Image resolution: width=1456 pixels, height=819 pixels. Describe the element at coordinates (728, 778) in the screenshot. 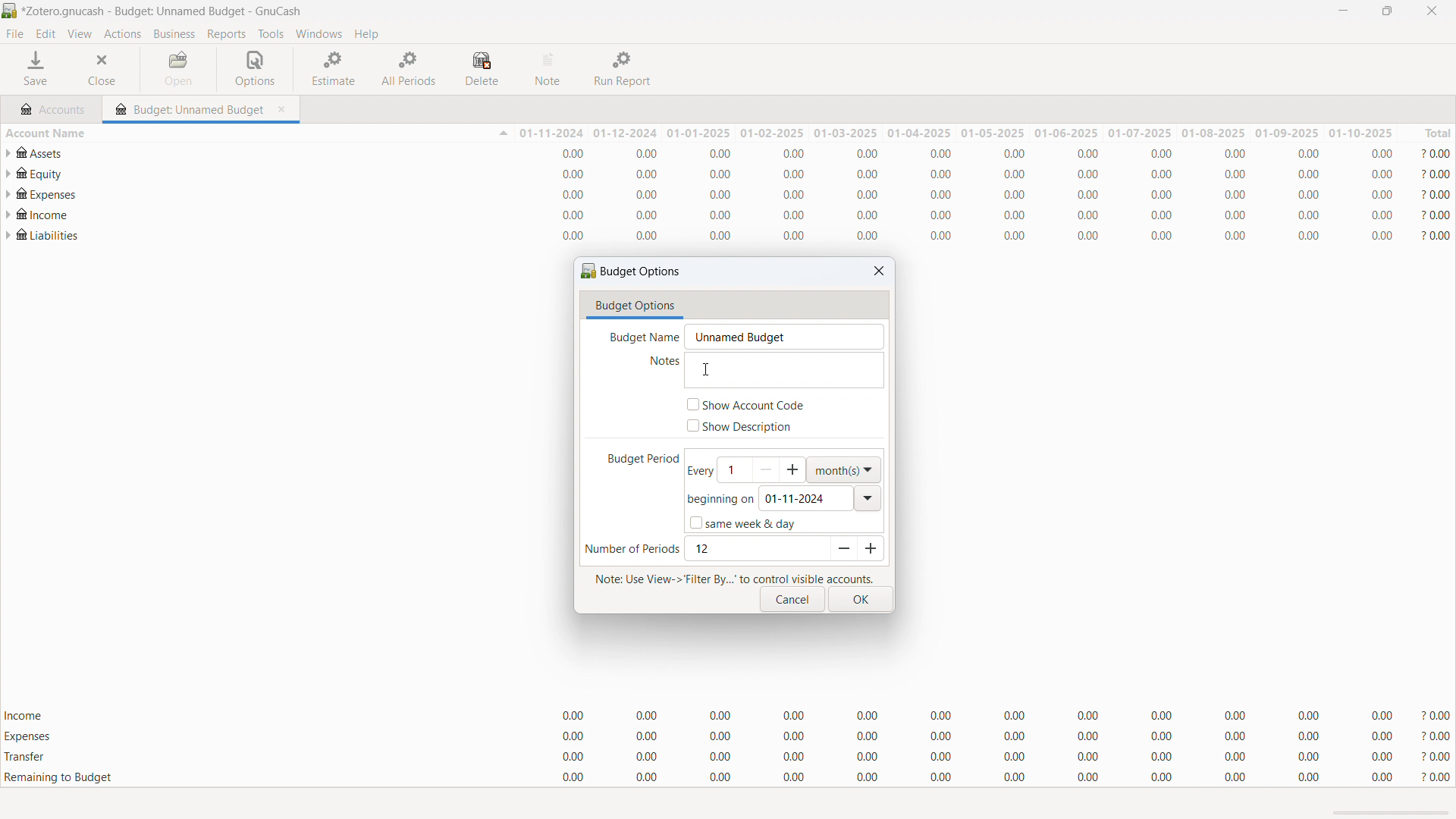

I see `remaining to budget total` at that location.